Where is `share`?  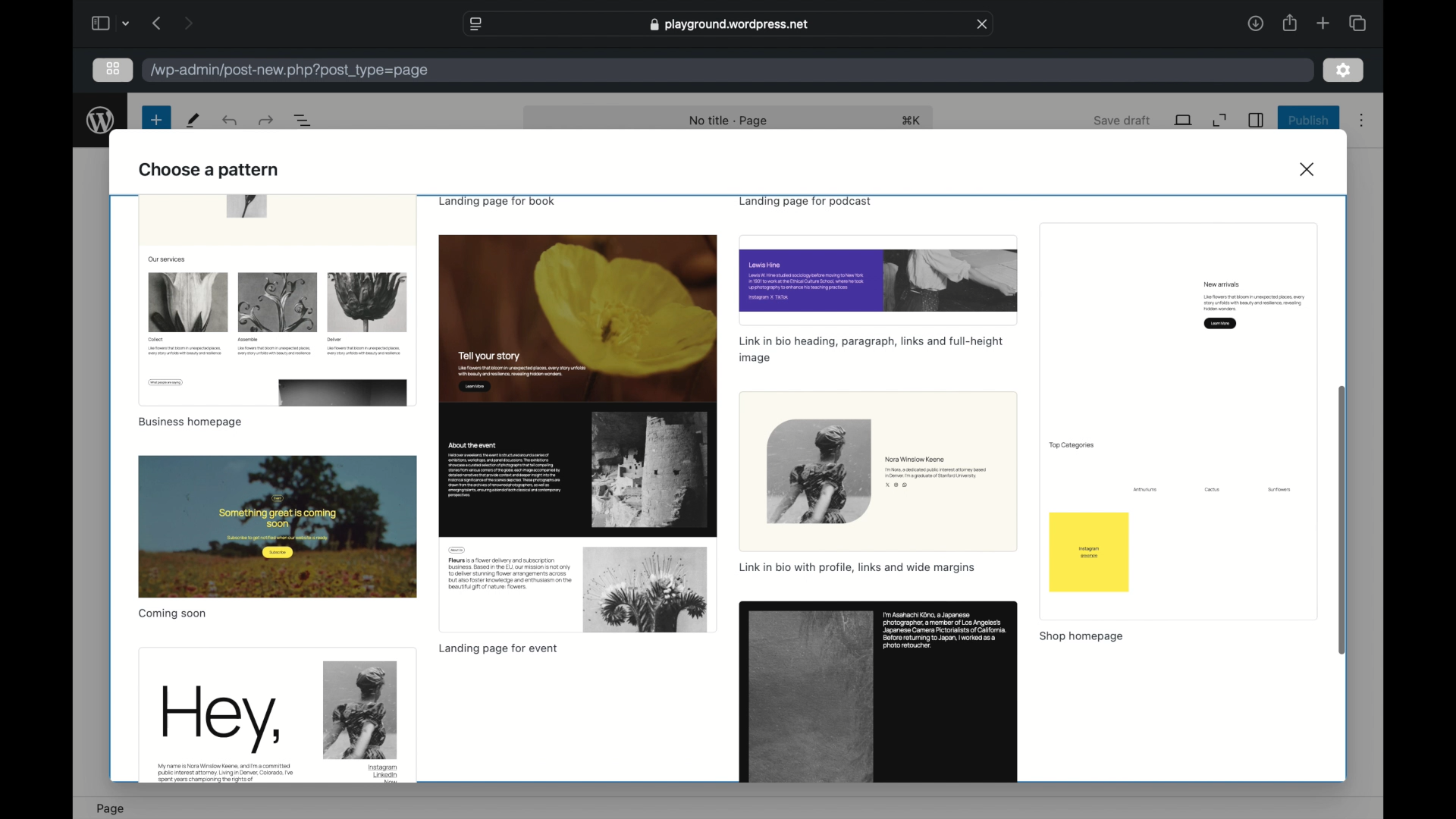
share is located at coordinates (1288, 22).